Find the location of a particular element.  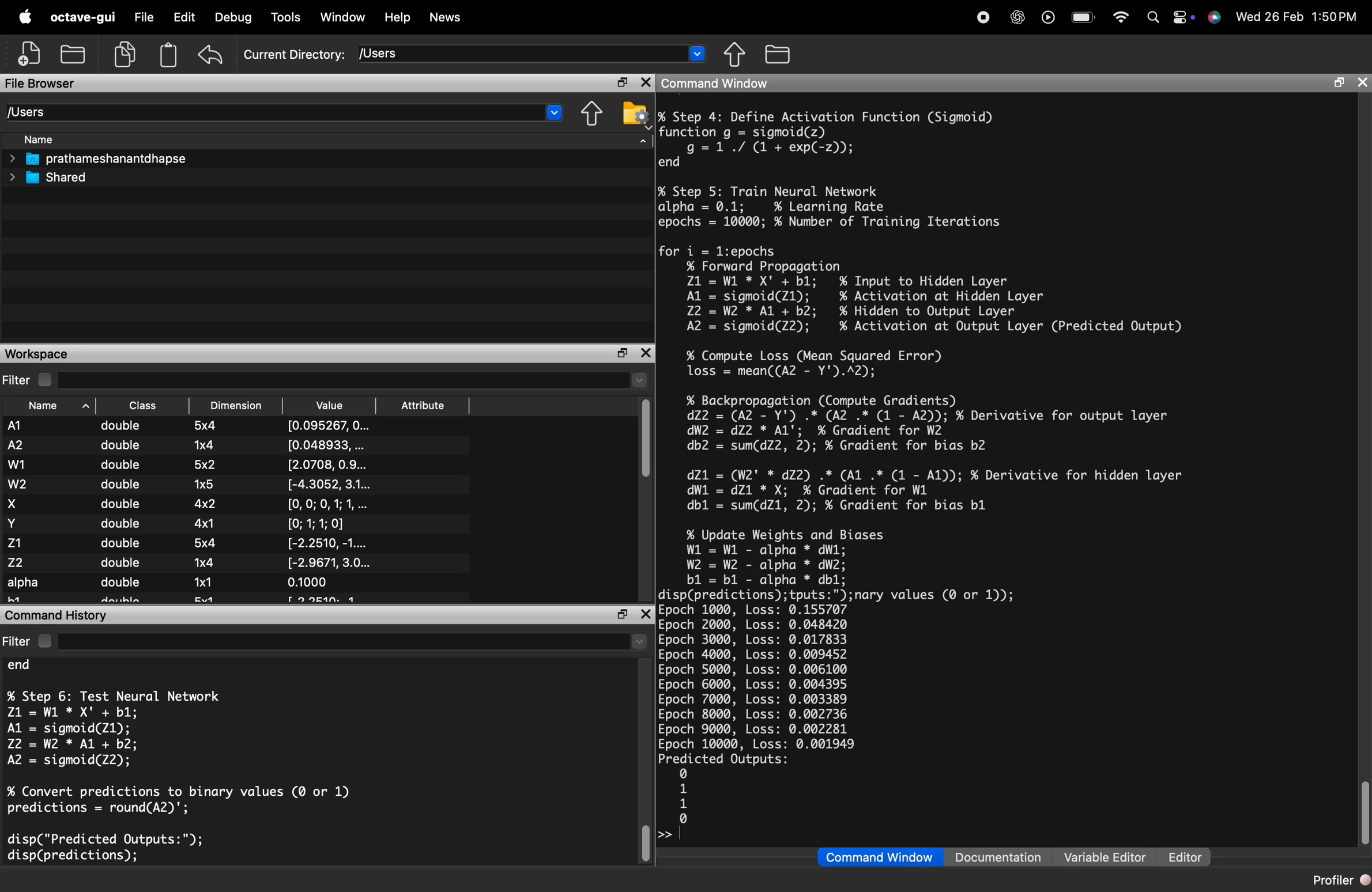

Filter is located at coordinates (325, 641).